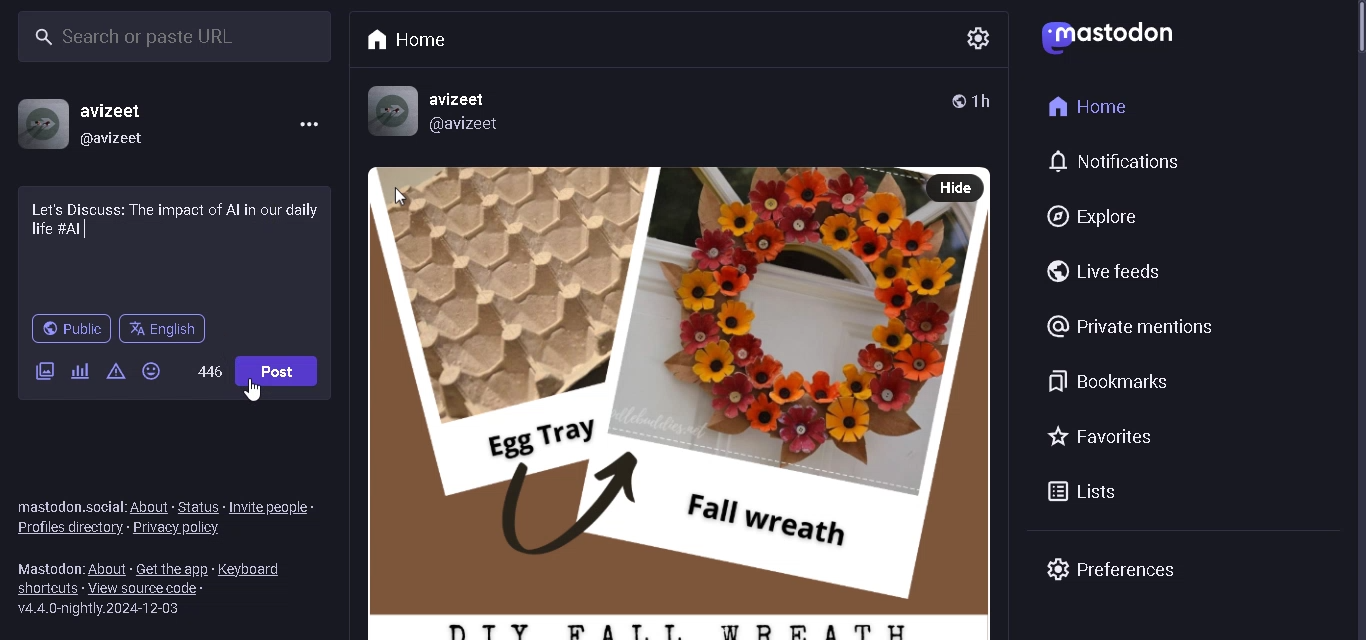 The image size is (1366, 640). Describe the element at coordinates (634, 402) in the screenshot. I see `POST WITH PICTURE` at that location.